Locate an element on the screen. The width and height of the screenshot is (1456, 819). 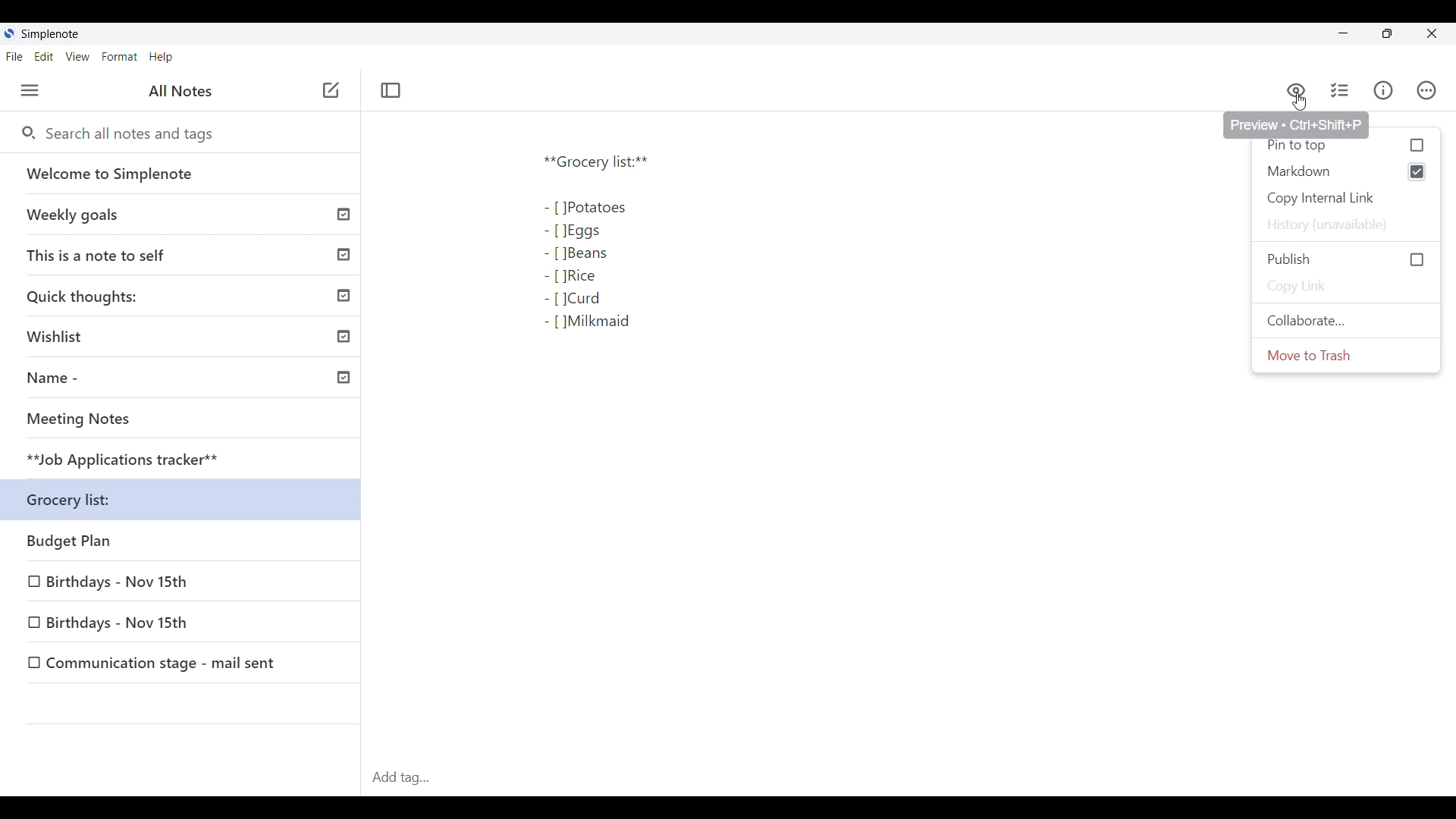
Actions is located at coordinates (1426, 90).